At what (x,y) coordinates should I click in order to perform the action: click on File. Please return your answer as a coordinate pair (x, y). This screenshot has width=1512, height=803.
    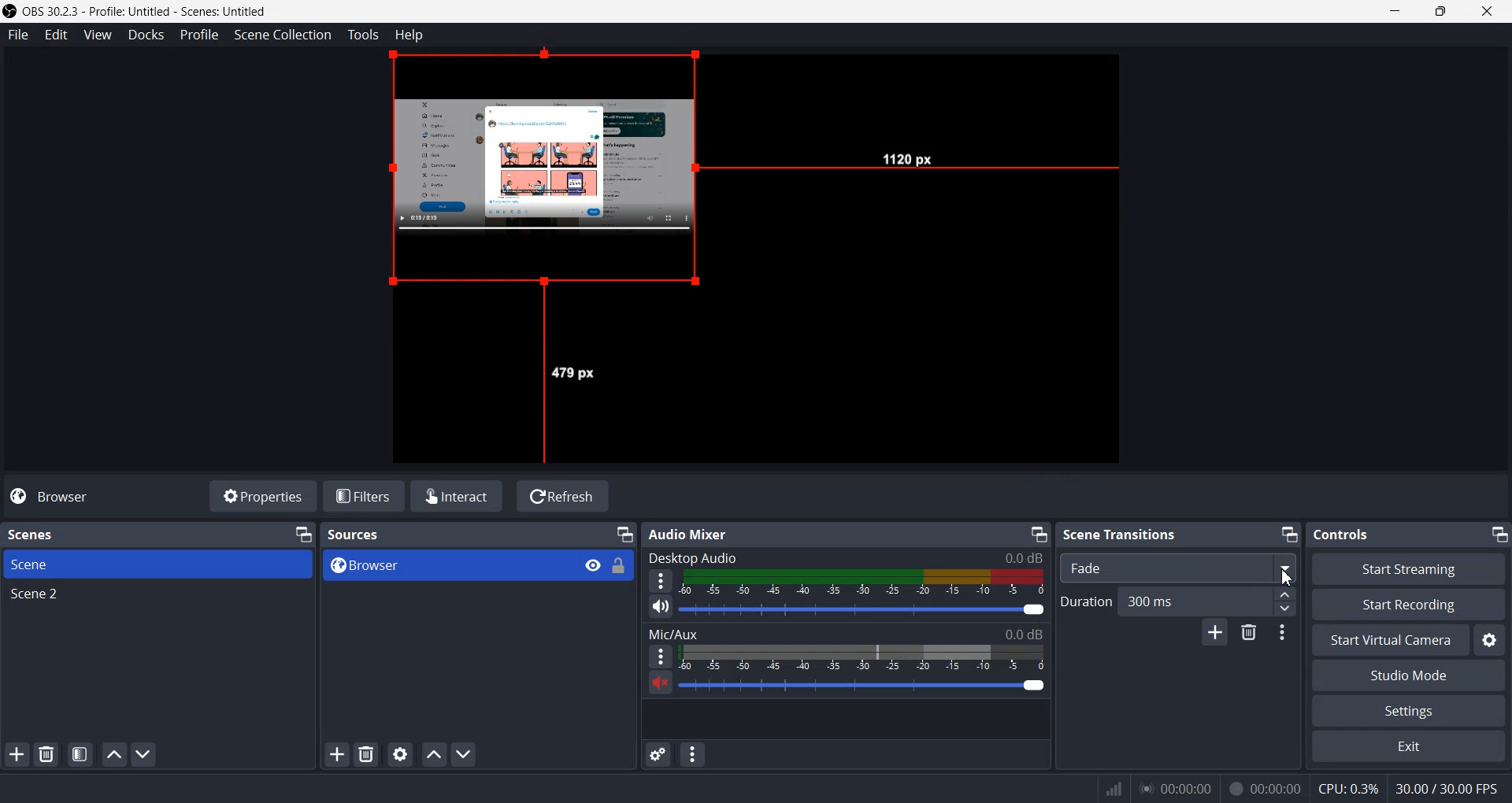
    Looking at the image, I should click on (16, 34).